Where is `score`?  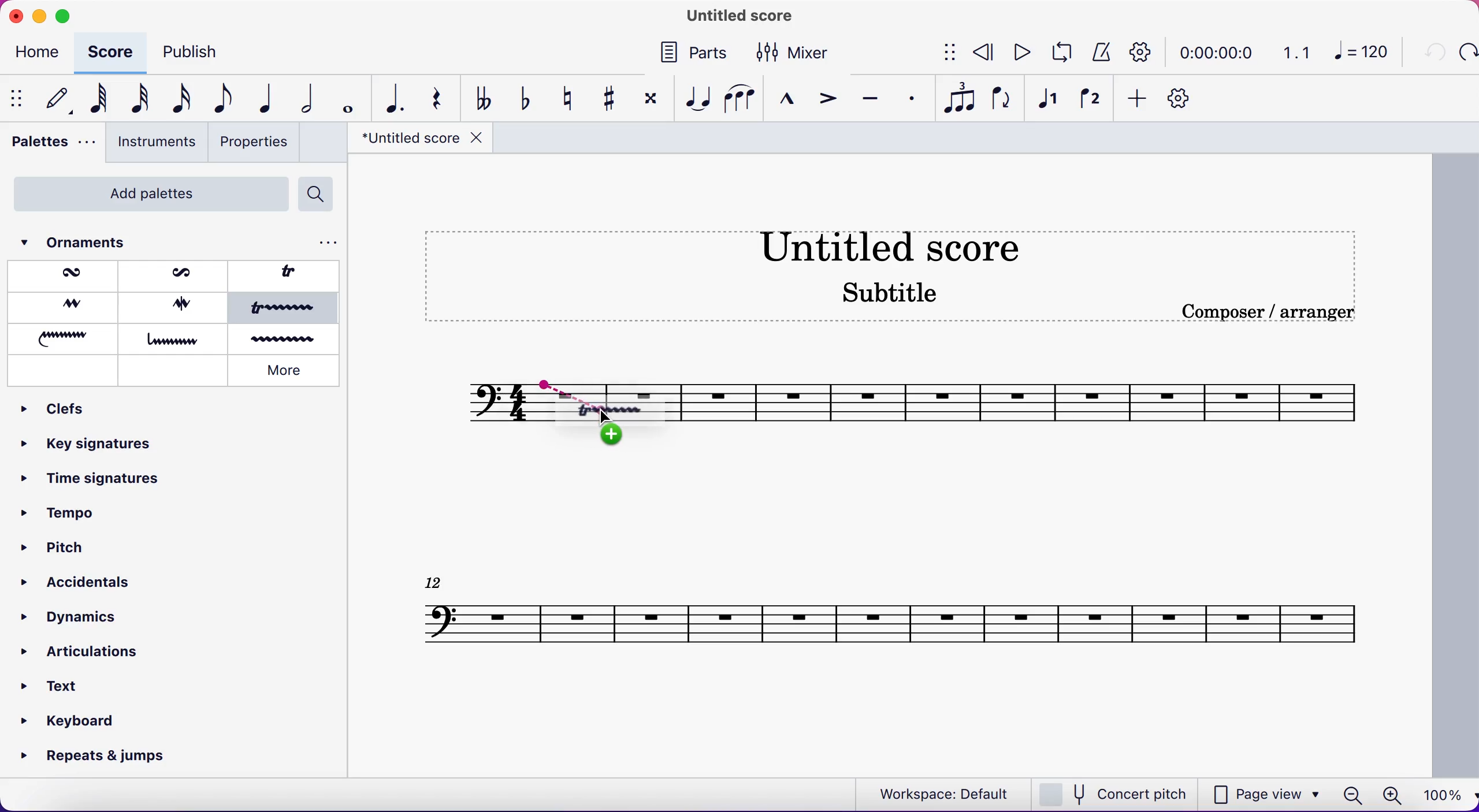
score is located at coordinates (112, 51).